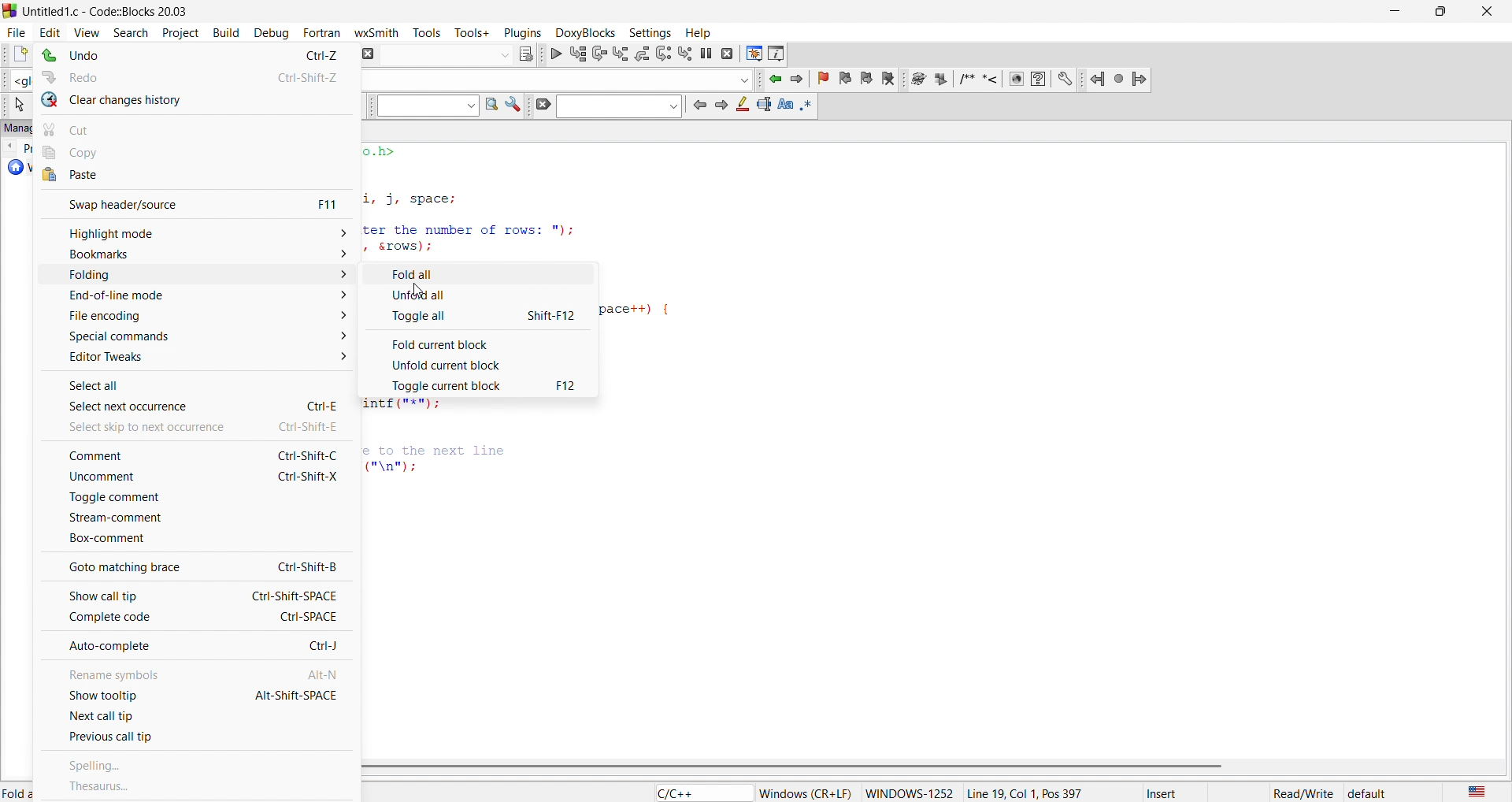 This screenshot has width=1512, height=802. Describe the element at coordinates (197, 717) in the screenshot. I see `next call tip` at that location.